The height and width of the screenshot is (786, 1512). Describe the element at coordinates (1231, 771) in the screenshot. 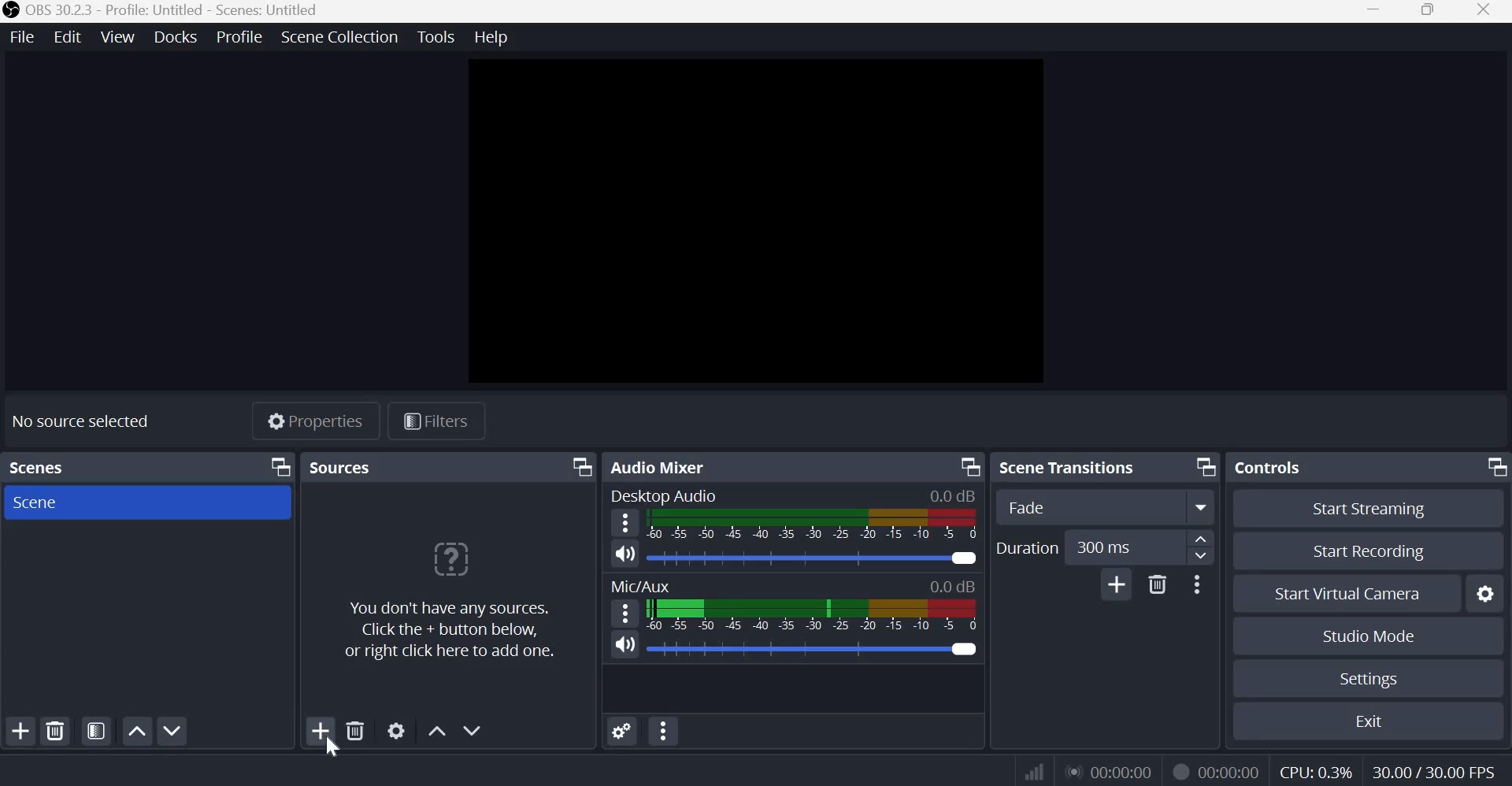

I see `Recording Timer` at that location.